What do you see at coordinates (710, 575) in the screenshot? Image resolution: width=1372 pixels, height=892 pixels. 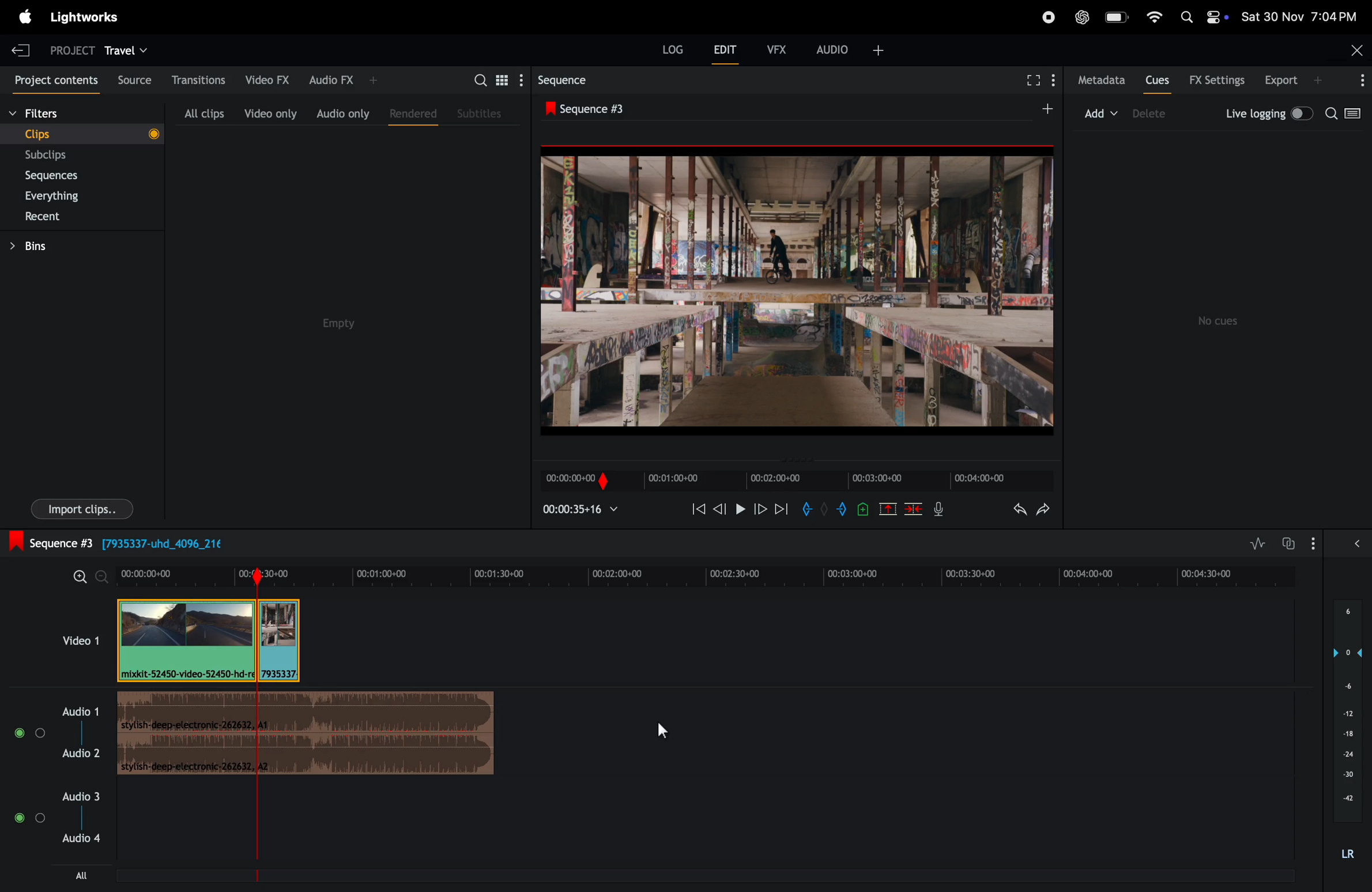 I see `time frame` at bounding box center [710, 575].